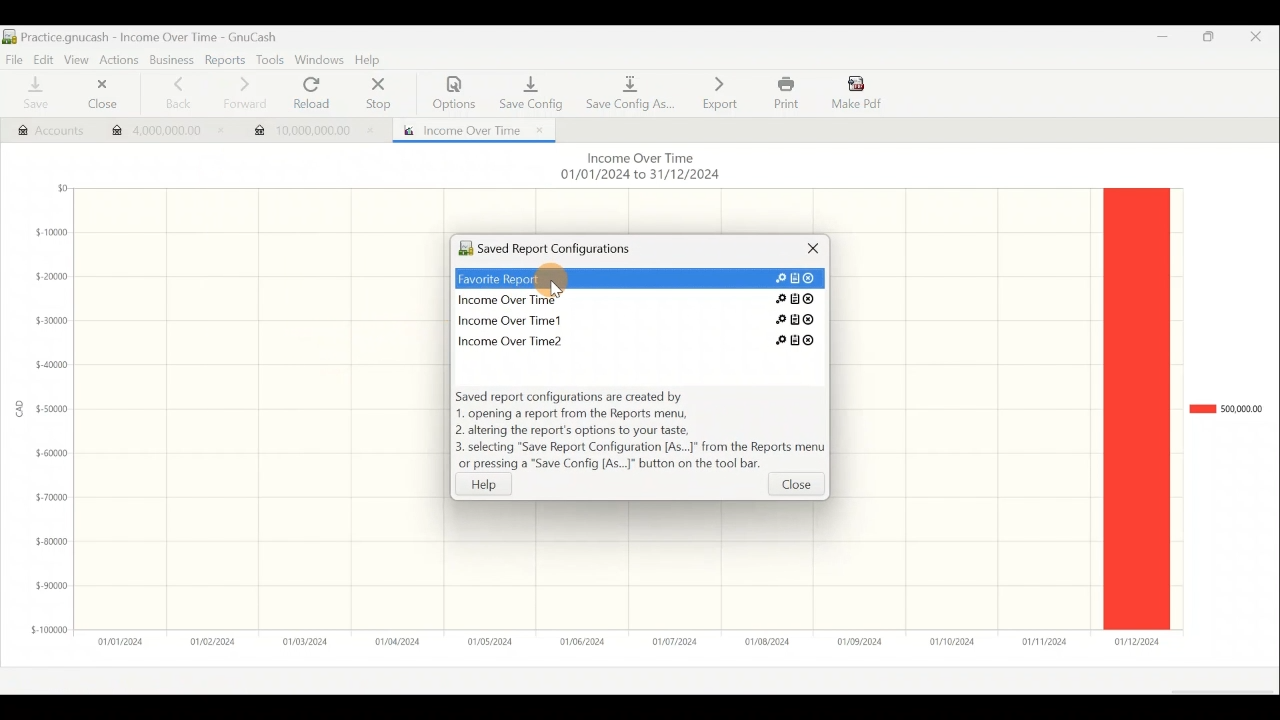 The width and height of the screenshot is (1280, 720). What do you see at coordinates (41, 128) in the screenshot?
I see `Accounts` at bounding box center [41, 128].